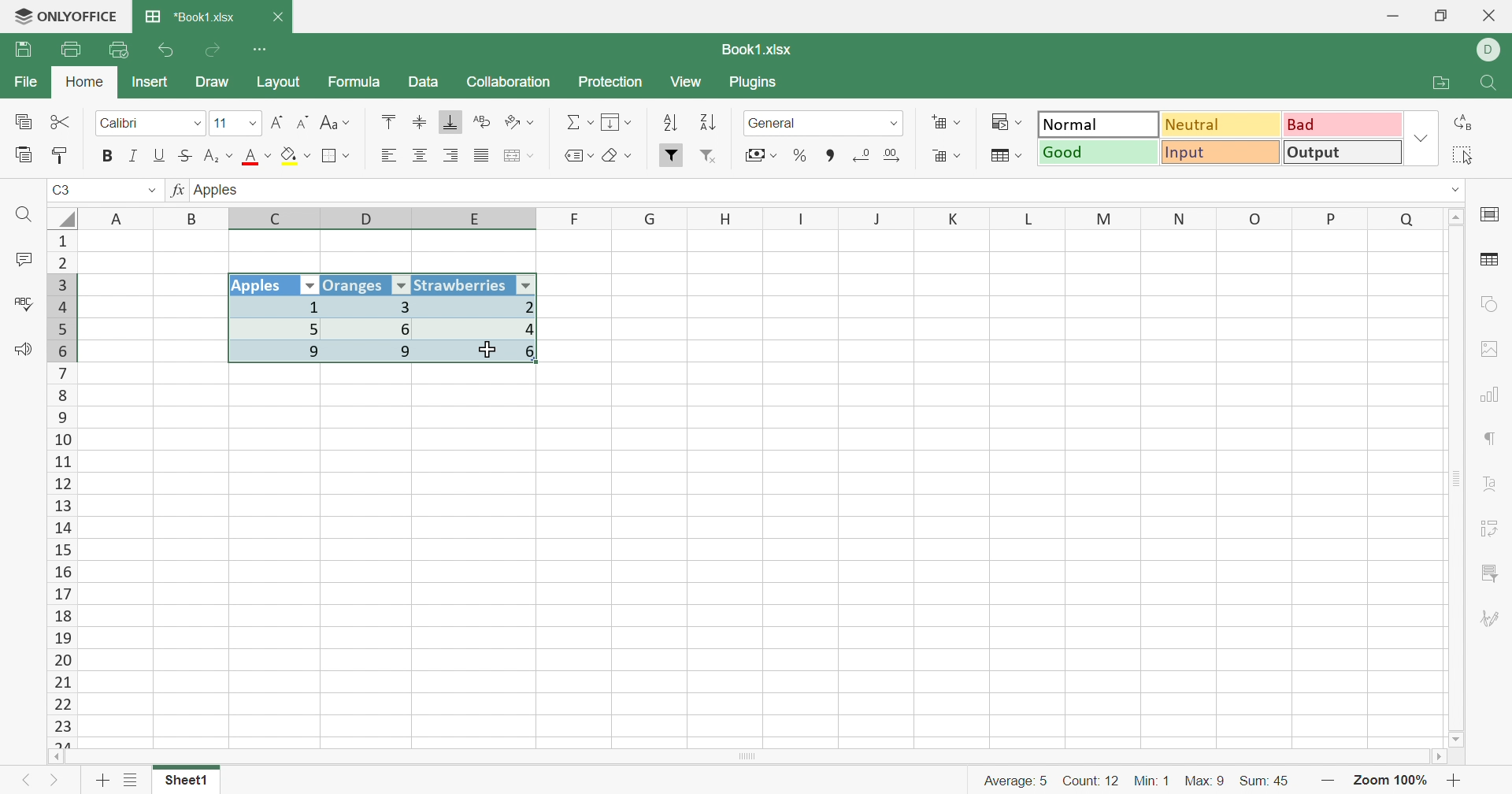 Image resolution: width=1512 pixels, height=794 pixels. Describe the element at coordinates (424, 83) in the screenshot. I see `Data` at that location.